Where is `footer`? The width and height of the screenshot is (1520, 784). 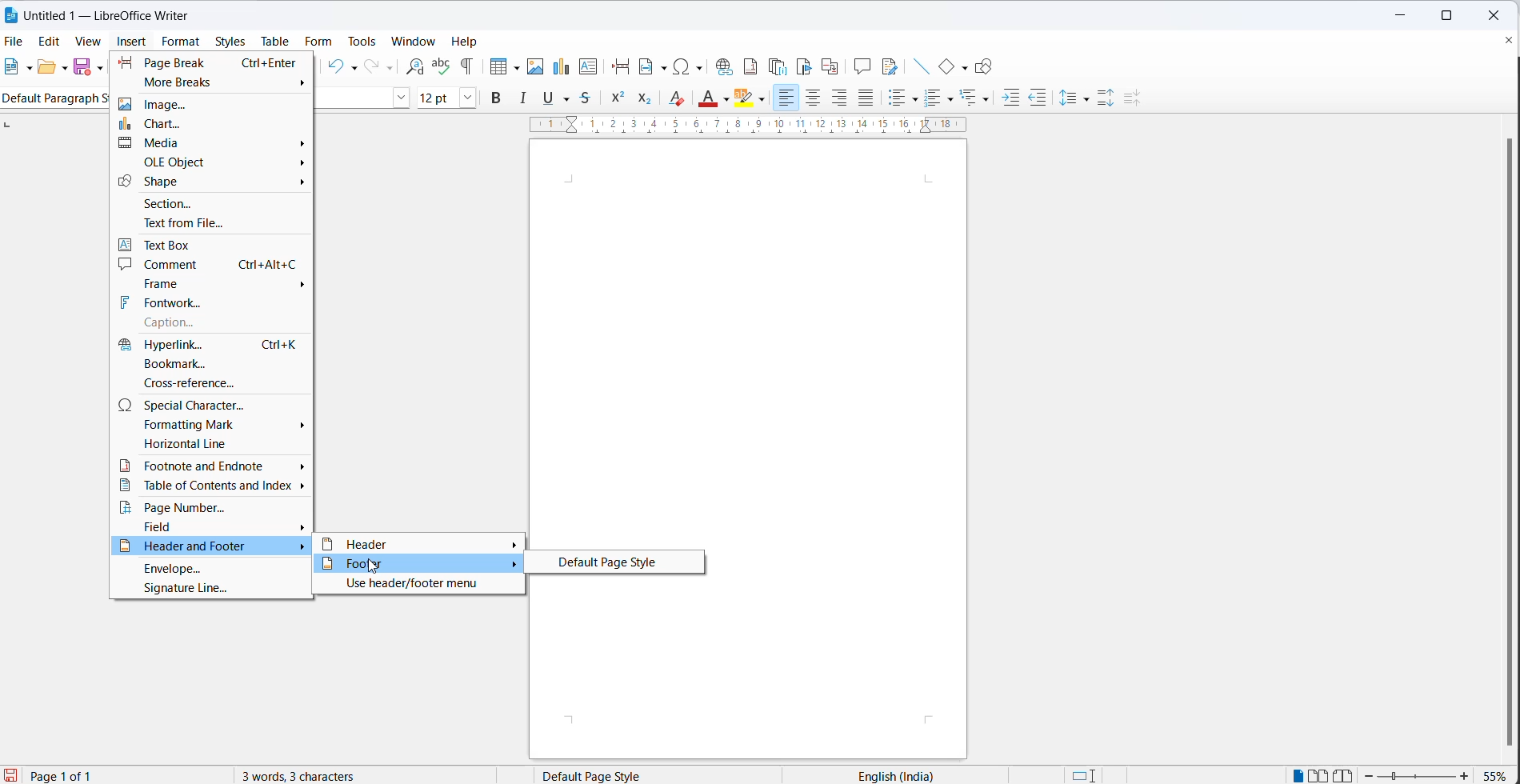 footer is located at coordinates (422, 565).